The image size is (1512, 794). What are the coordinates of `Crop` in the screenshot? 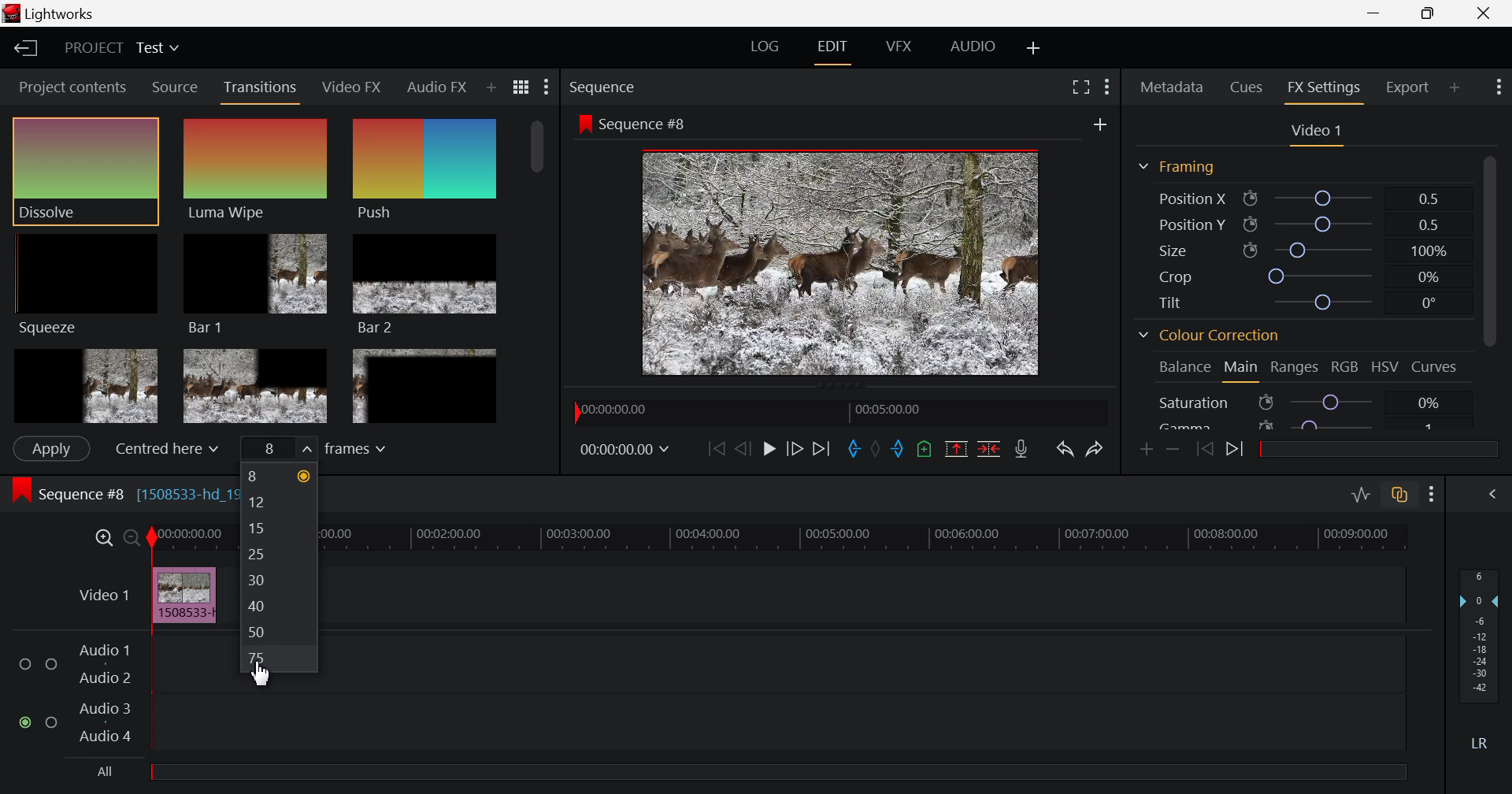 It's located at (1295, 275).